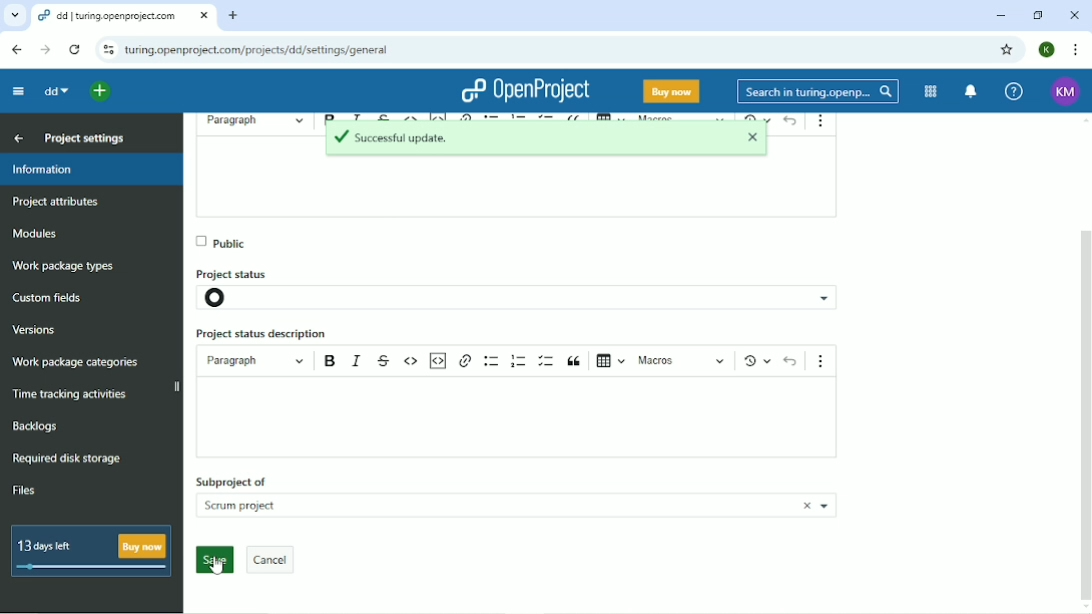 Image resolution: width=1092 pixels, height=614 pixels. Describe the element at coordinates (818, 92) in the screenshot. I see `Search in turing.openprojects.com` at that location.